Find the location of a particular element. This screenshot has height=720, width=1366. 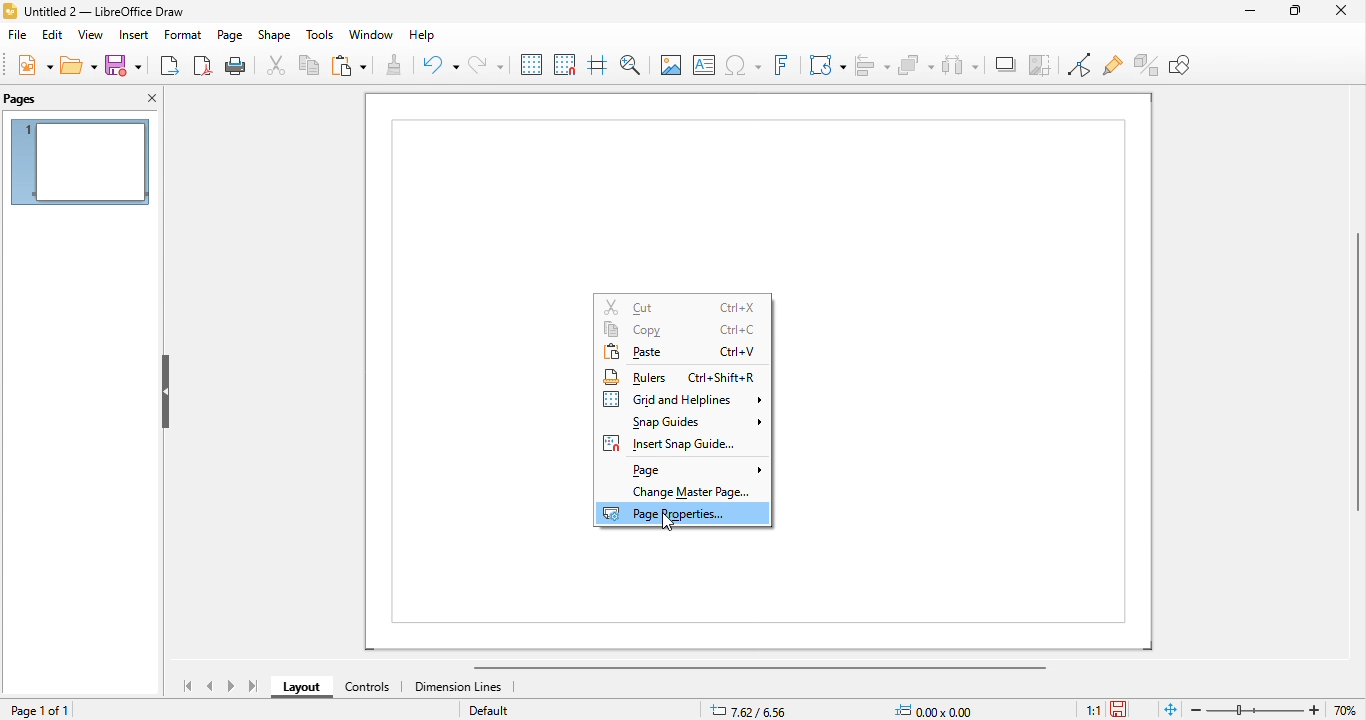

paste is located at coordinates (683, 352).